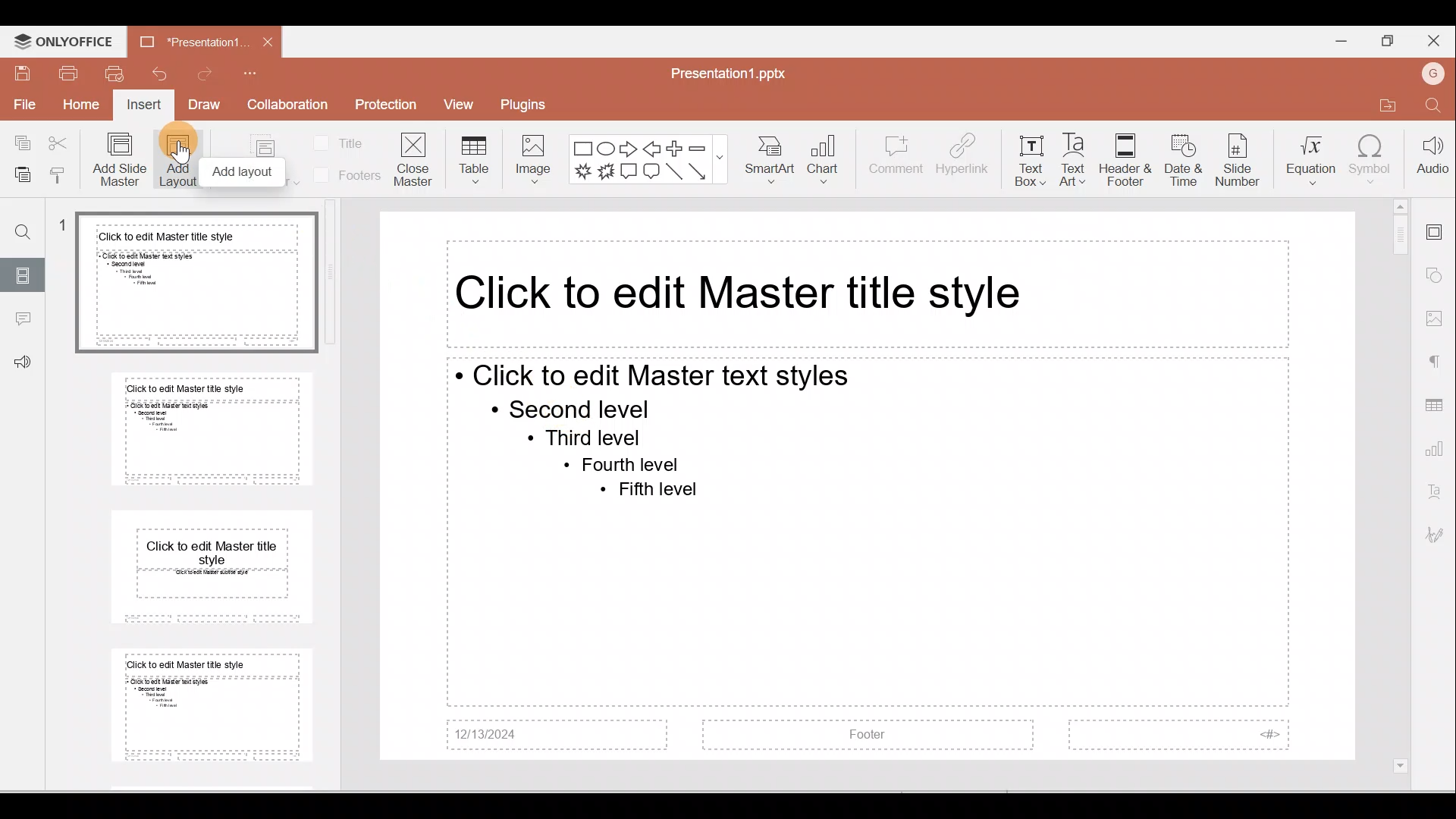 Image resolution: width=1456 pixels, height=819 pixels. Describe the element at coordinates (537, 105) in the screenshot. I see `Plugins` at that location.